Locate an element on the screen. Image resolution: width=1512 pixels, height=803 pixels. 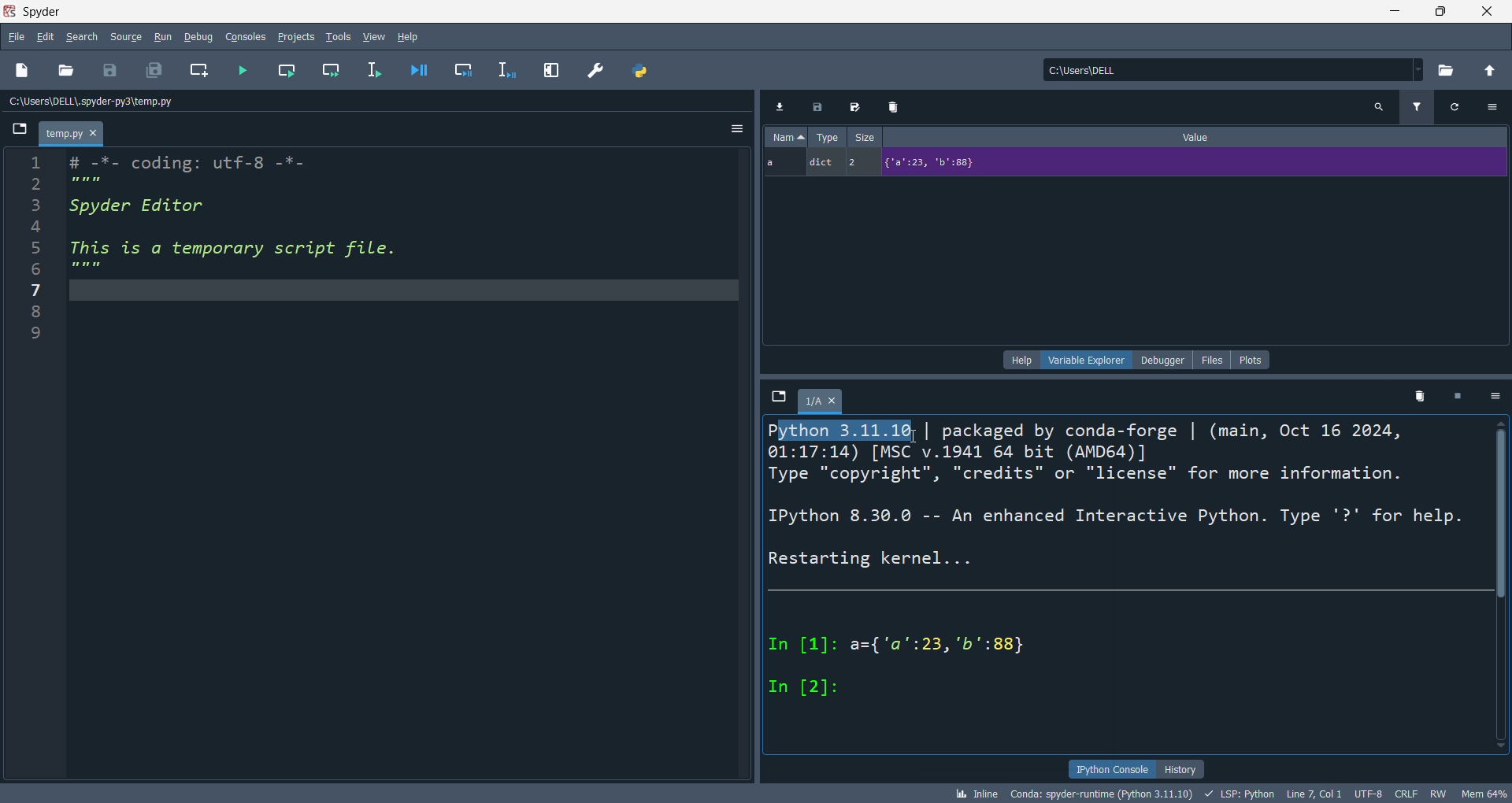
inline is located at coordinates (974, 794).